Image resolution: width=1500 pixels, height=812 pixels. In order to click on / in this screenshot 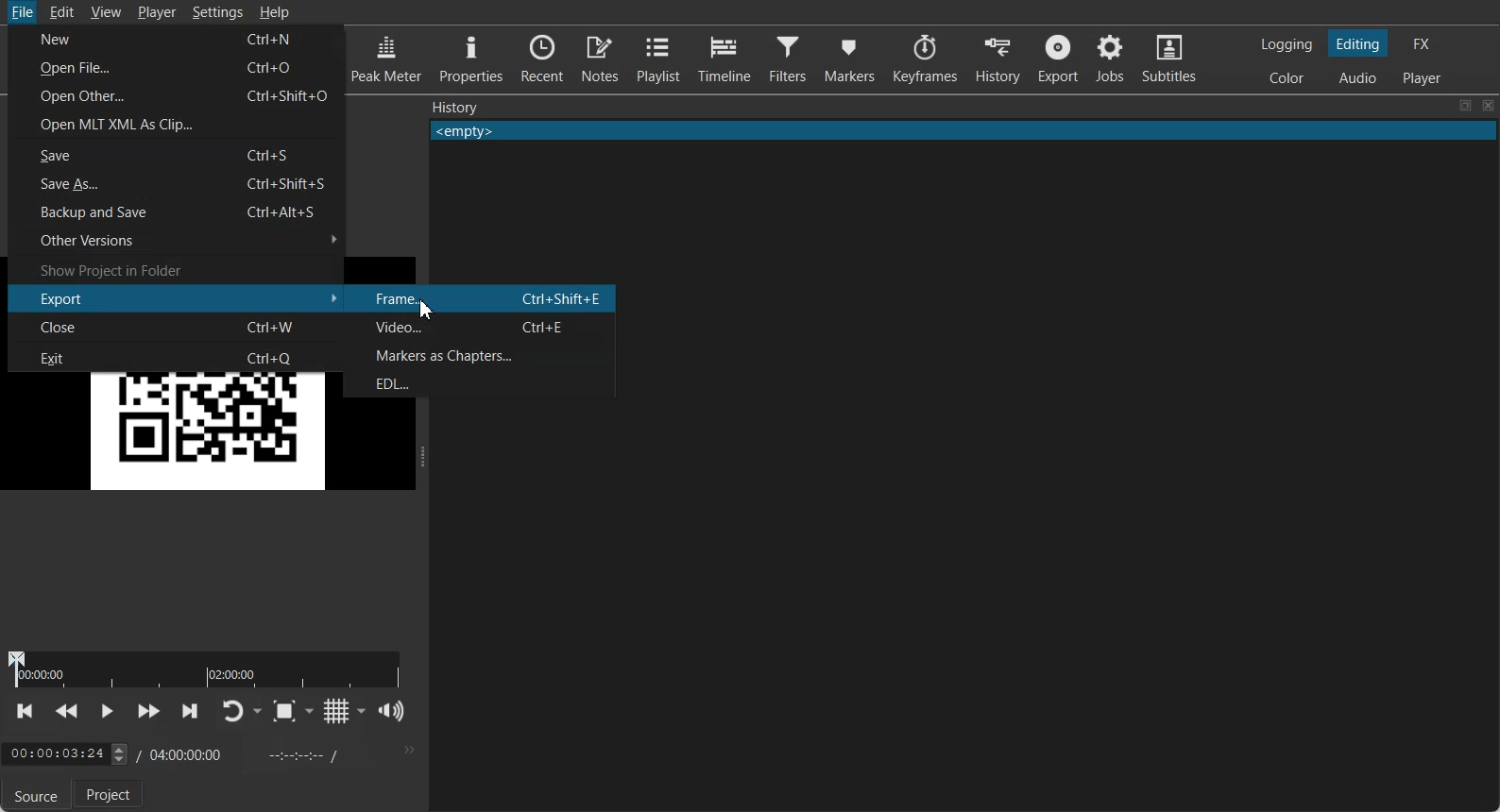, I will do `click(136, 753)`.